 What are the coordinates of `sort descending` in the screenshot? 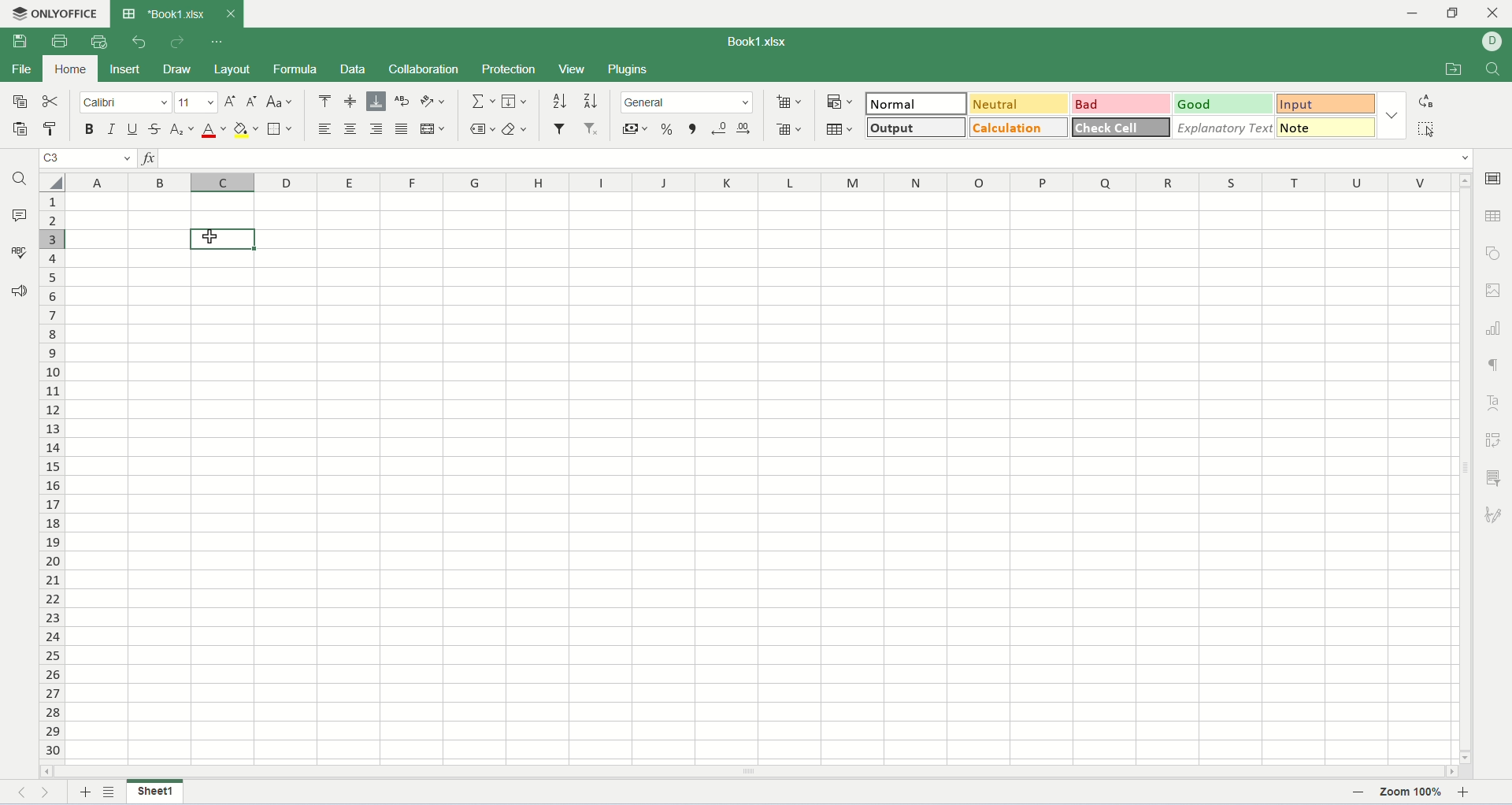 It's located at (590, 101).